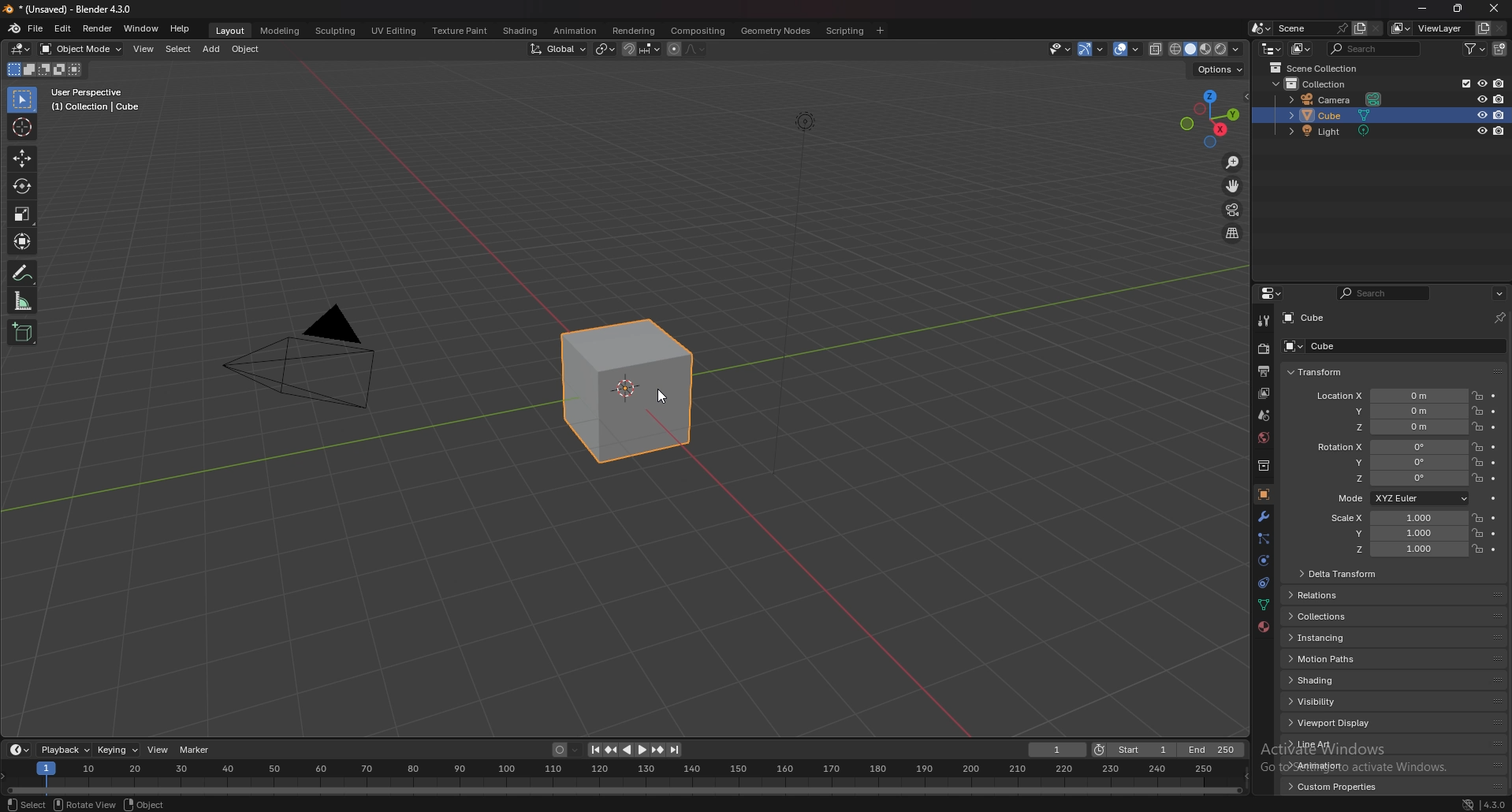 The height and width of the screenshot is (812, 1512). What do you see at coordinates (1350, 616) in the screenshot?
I see `collections` at bounding box center [1350, 616].